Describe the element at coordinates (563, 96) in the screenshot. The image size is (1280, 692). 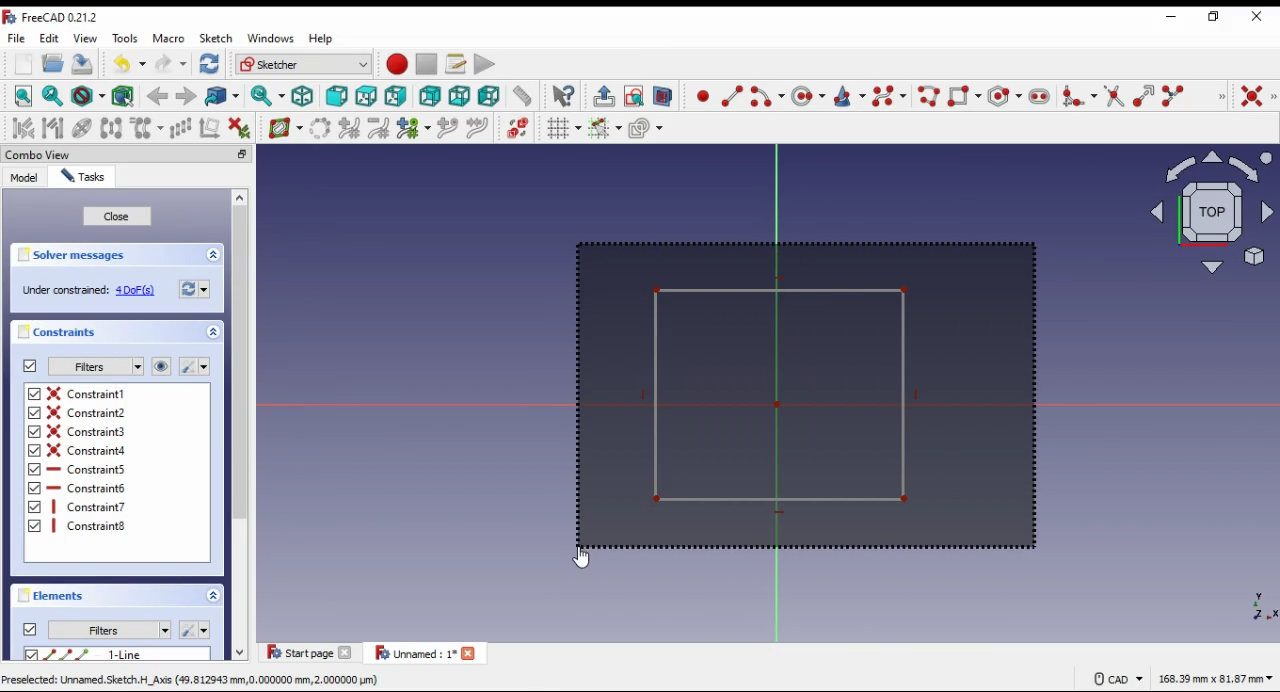
I see `what's this` at that location.